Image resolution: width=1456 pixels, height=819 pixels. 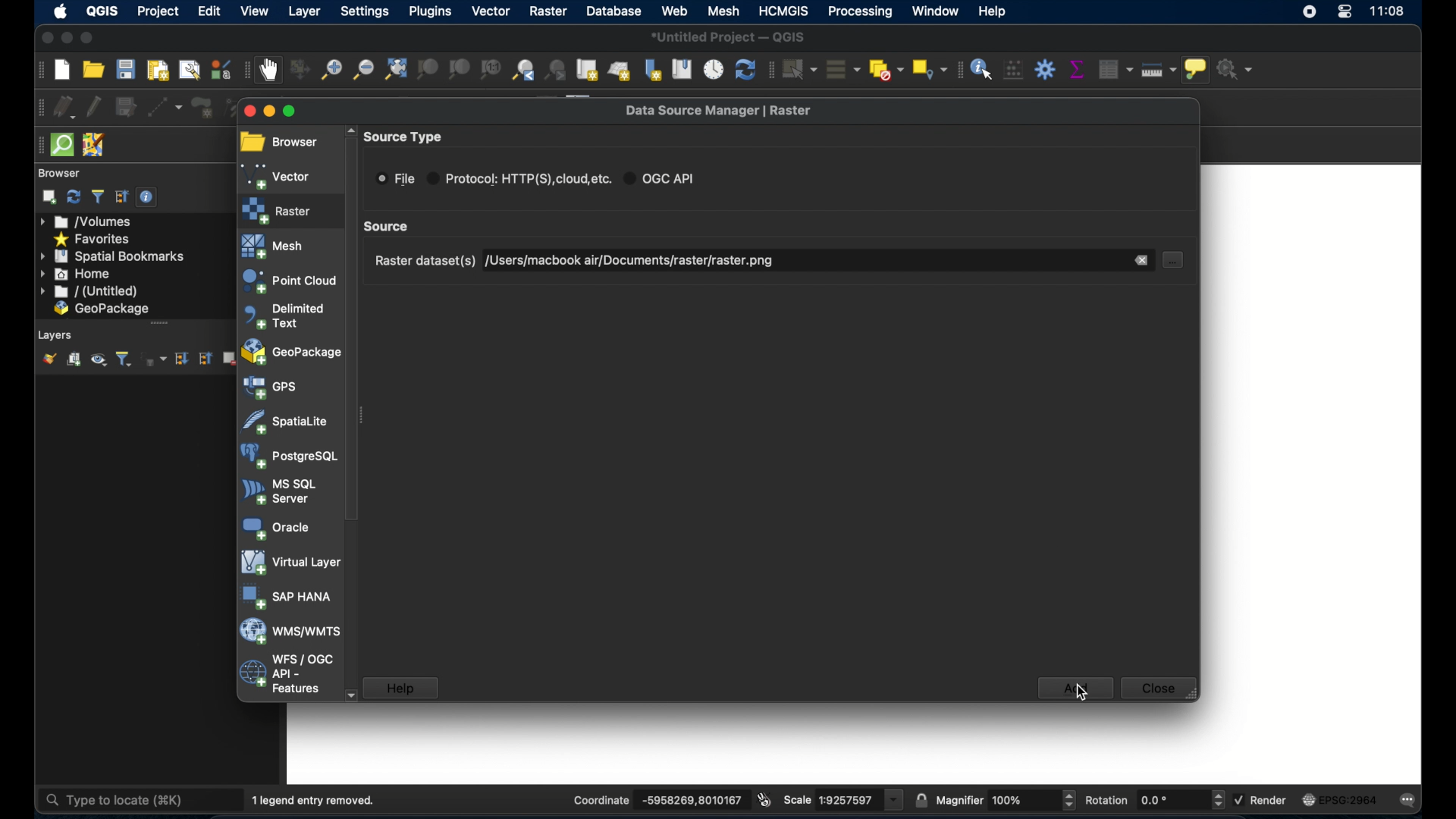 What do you see at coordinates (1345, 799) in the screenshot?
I see `current csr` at bounding box center [1345, 799].